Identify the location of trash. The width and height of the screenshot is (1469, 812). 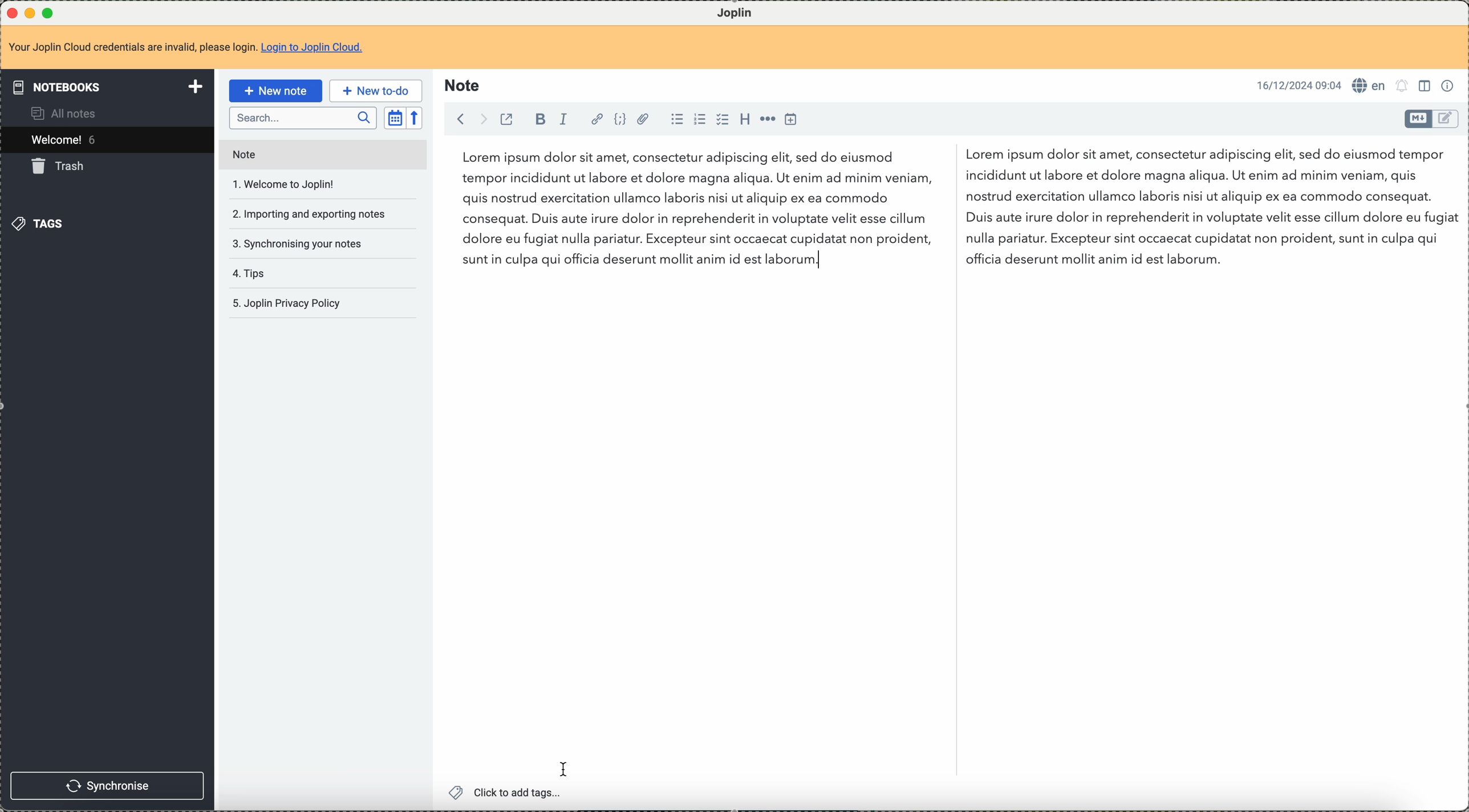
(62, 168).